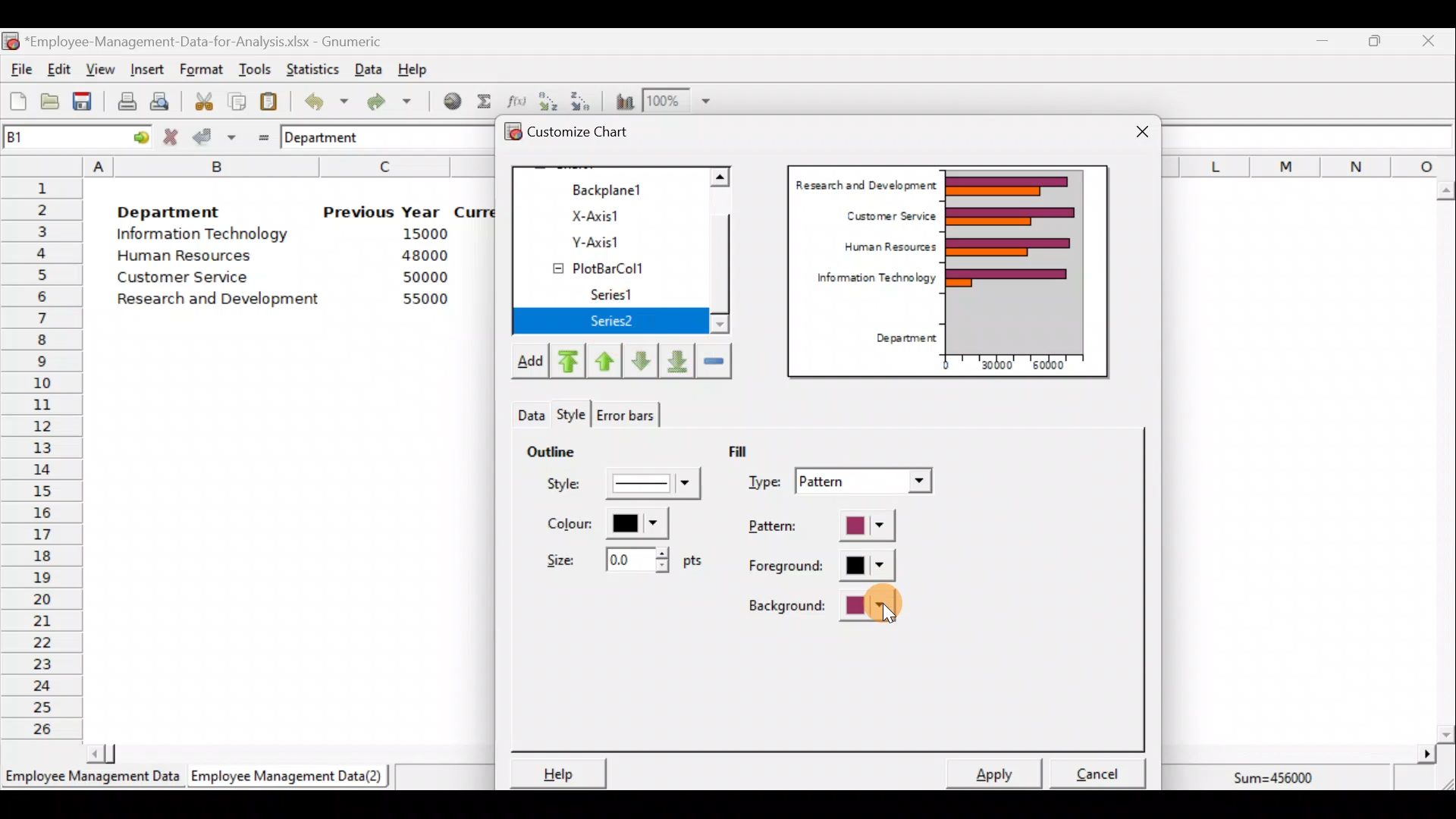  I want to click on Employee Management Data, so click(91, 781).